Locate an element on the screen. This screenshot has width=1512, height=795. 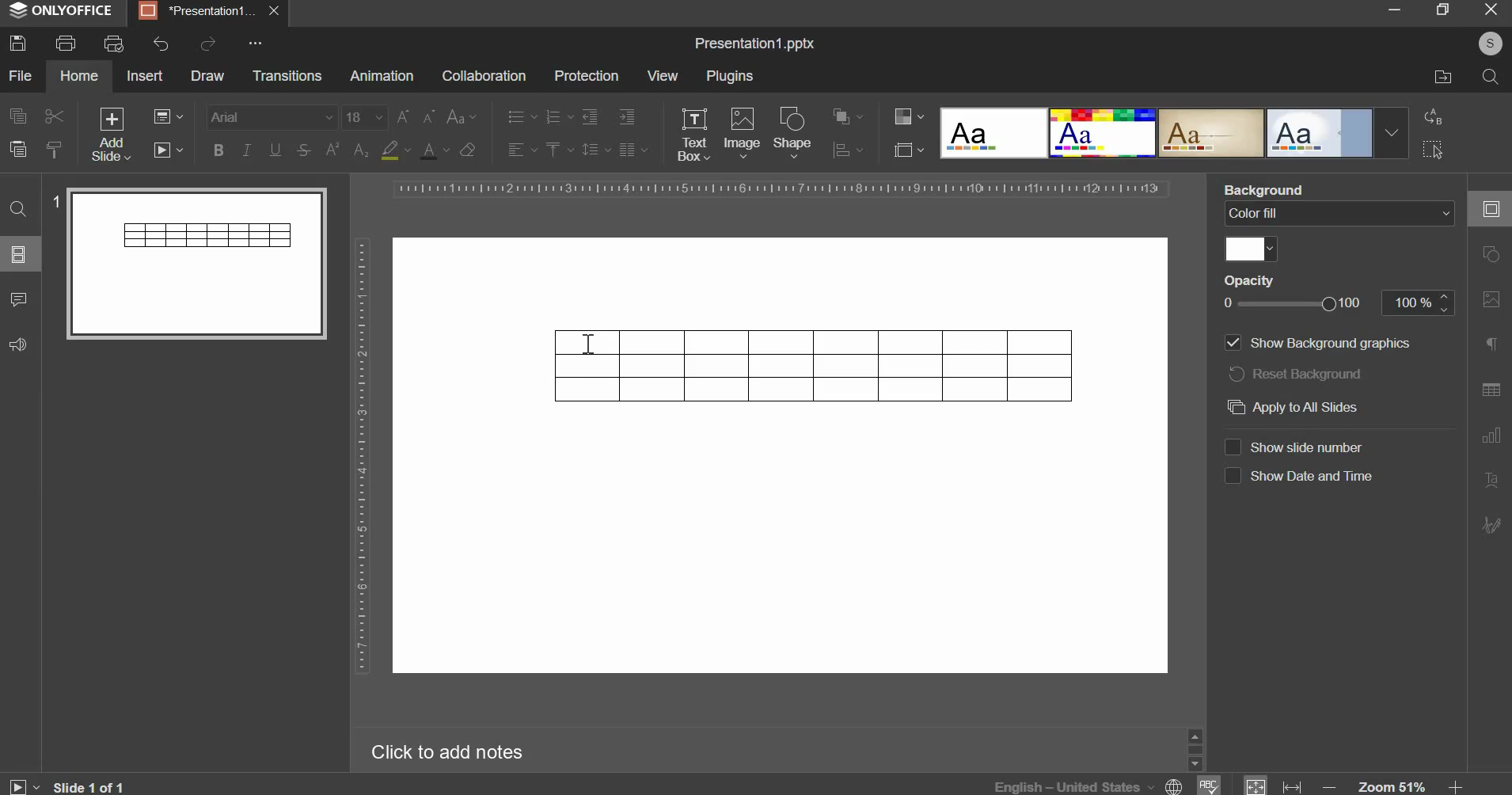
Apply to all slides is located at coordinates (1300, 407).